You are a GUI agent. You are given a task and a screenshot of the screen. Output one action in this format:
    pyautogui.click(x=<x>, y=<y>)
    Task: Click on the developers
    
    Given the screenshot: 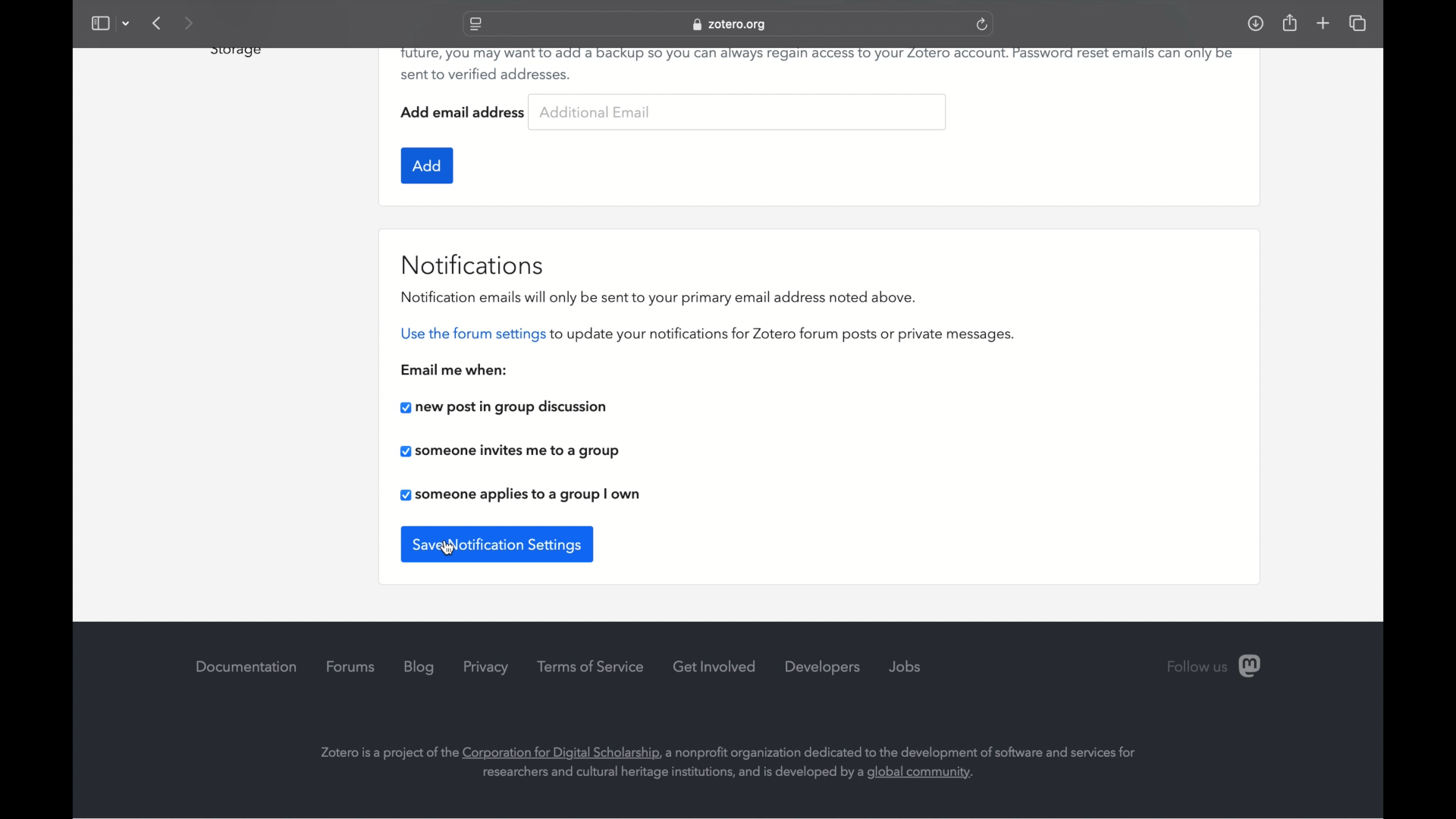 What is the action you would take?
    pyautogui.click(x=824, y=667)
    